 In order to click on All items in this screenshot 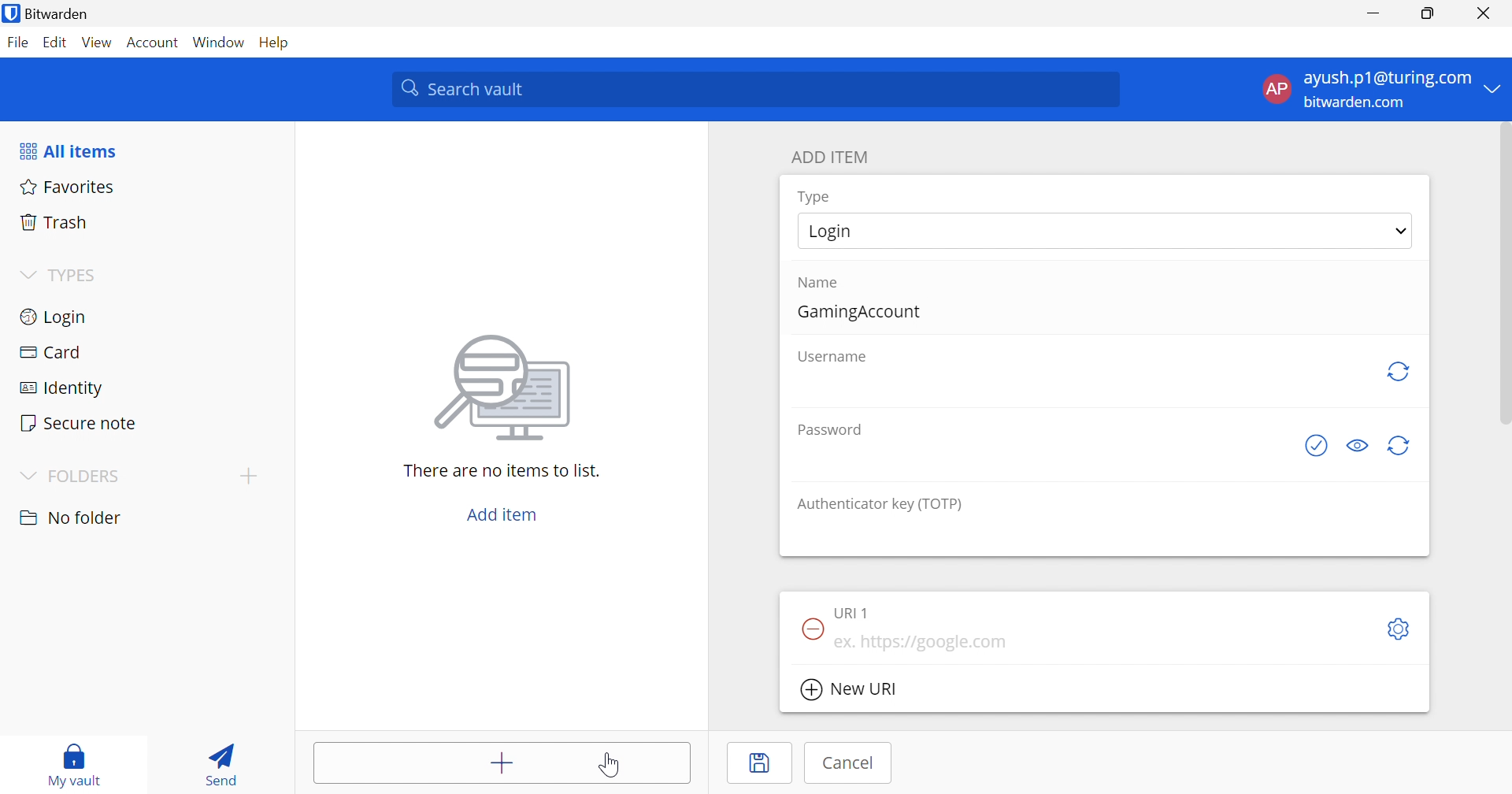, I will do `click(67, 151)`.